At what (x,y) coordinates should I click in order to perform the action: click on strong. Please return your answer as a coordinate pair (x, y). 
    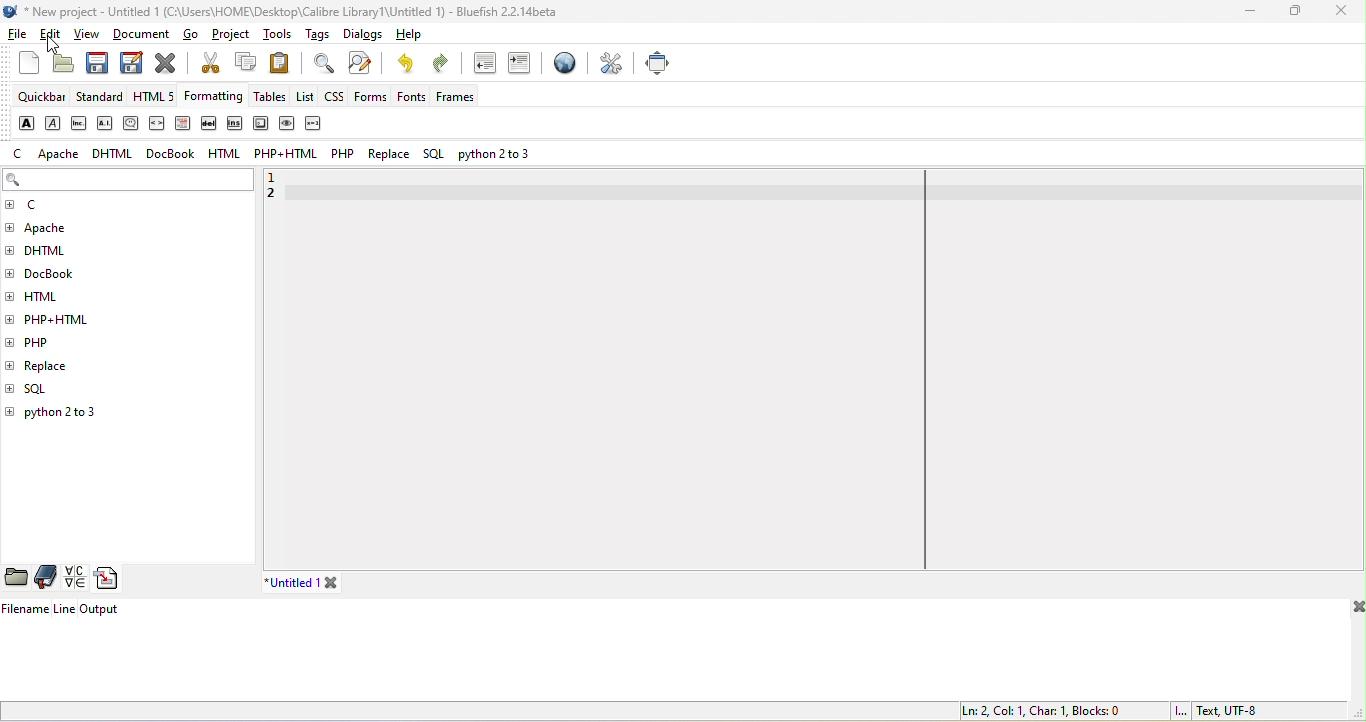
    Looking at the image, I should click on (24, 122).